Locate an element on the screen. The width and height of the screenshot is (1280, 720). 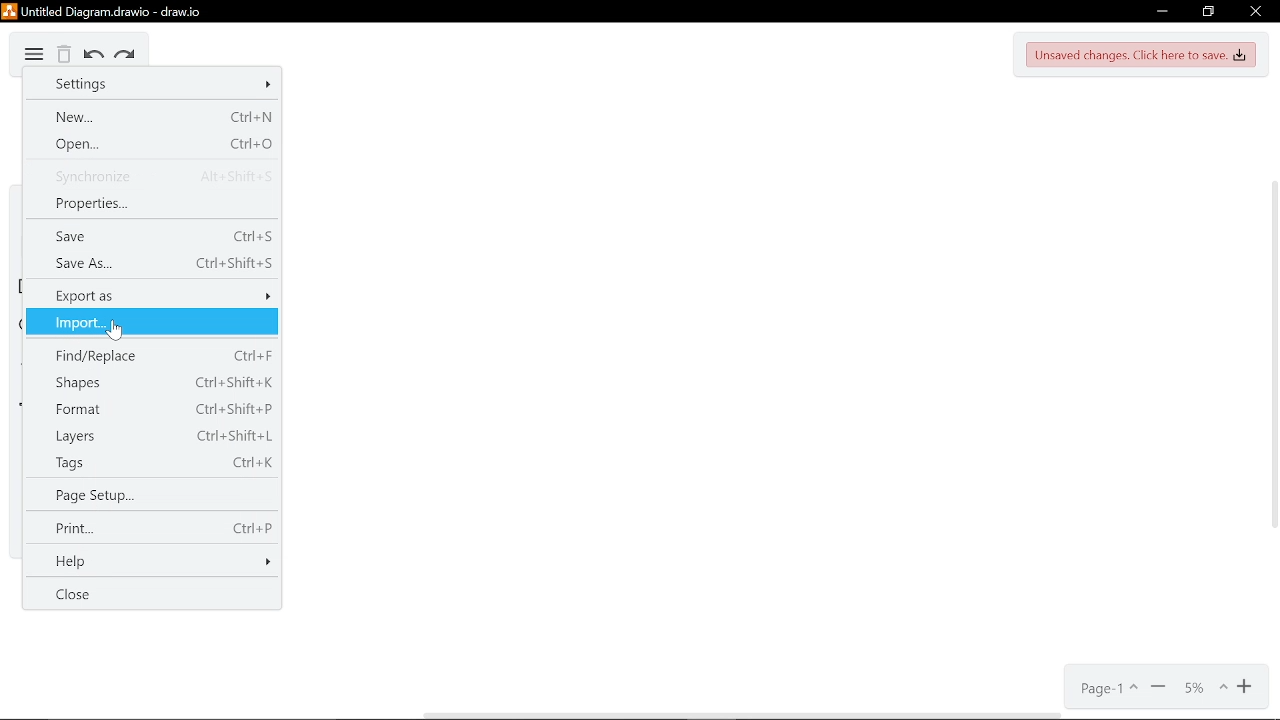
Horizontal scrollbar is located at coordinates (742, 715).